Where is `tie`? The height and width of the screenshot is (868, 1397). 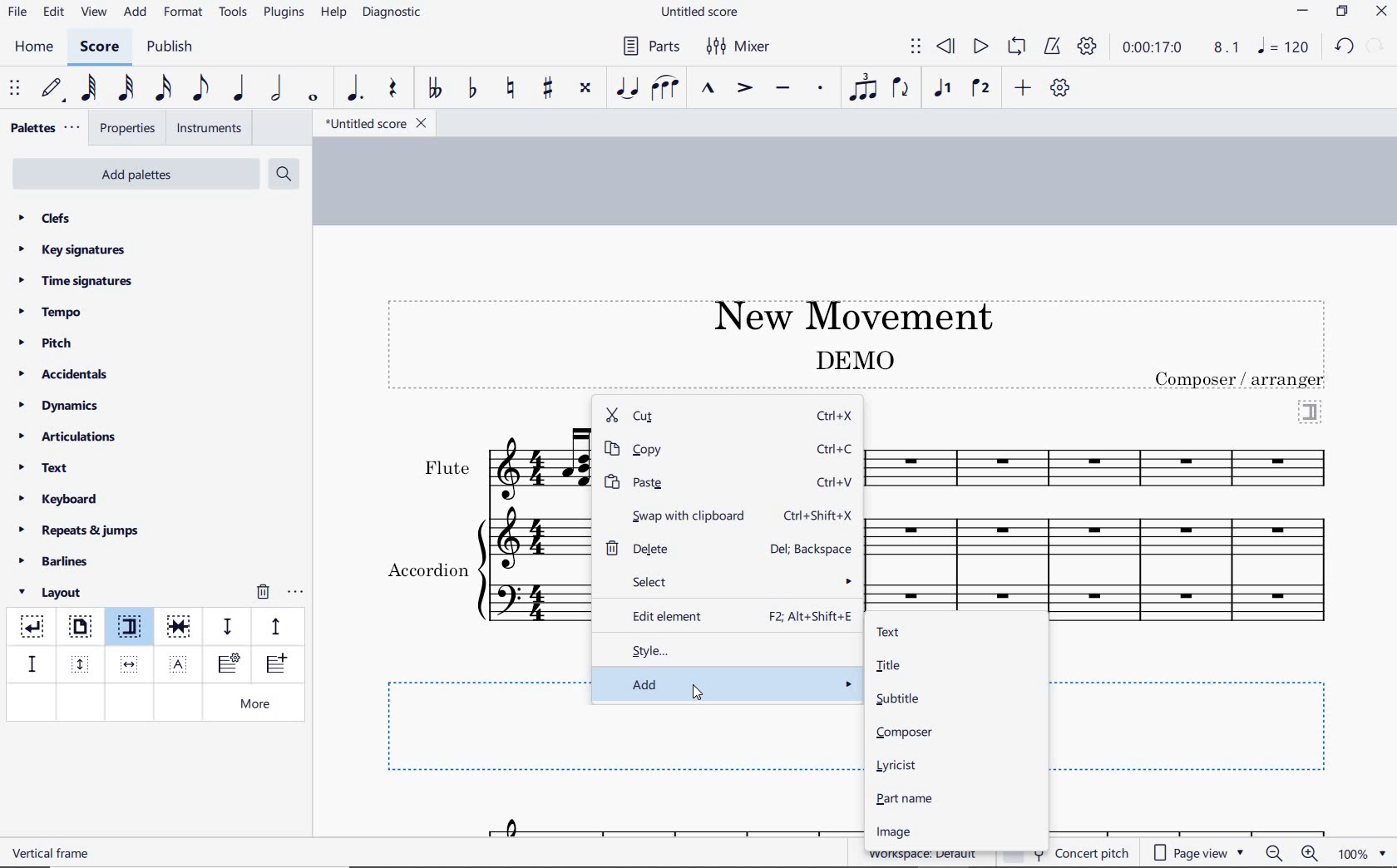 tie is located at coordinates (629, 89).